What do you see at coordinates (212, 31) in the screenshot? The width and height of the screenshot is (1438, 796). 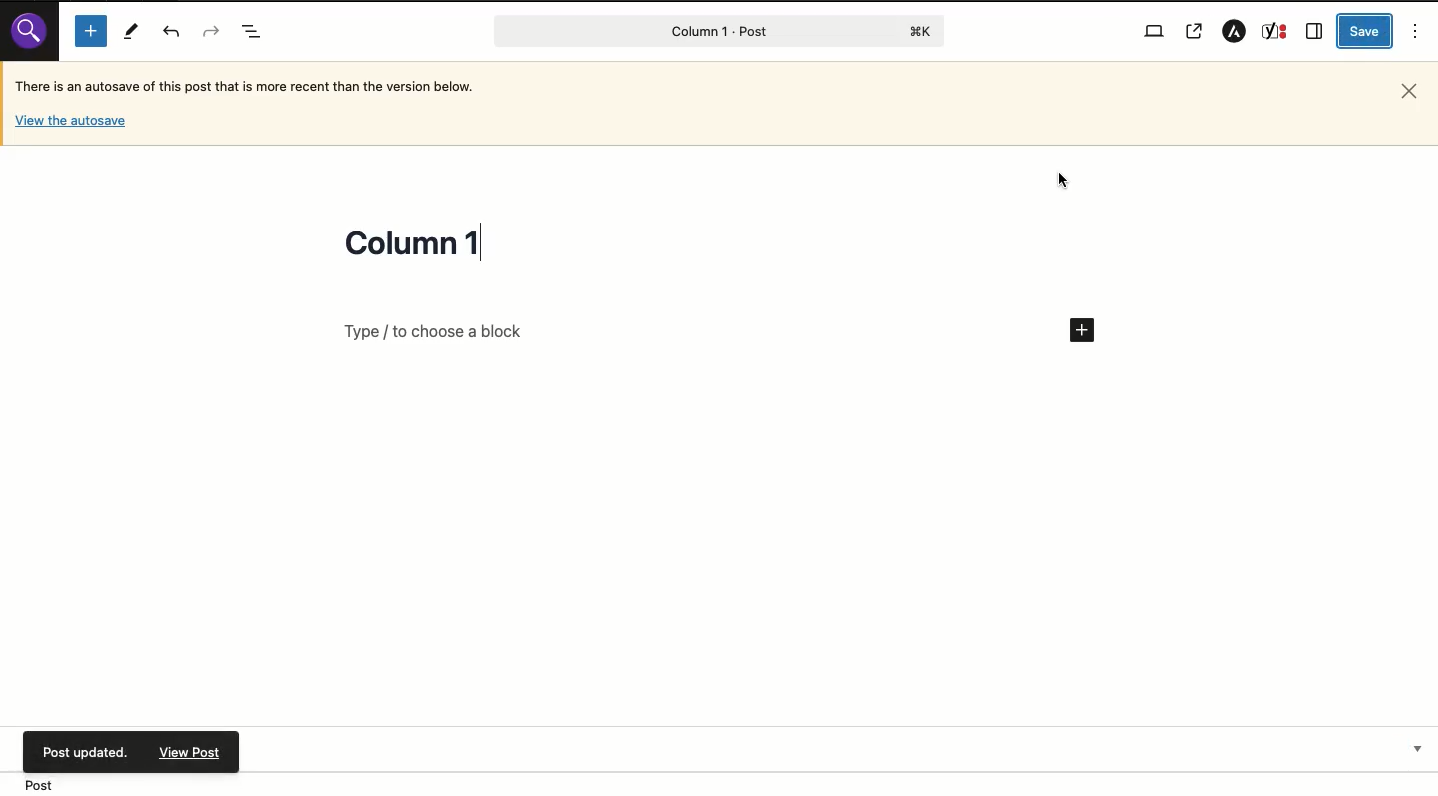 I see `Redo` at bounding box center [212, 31].